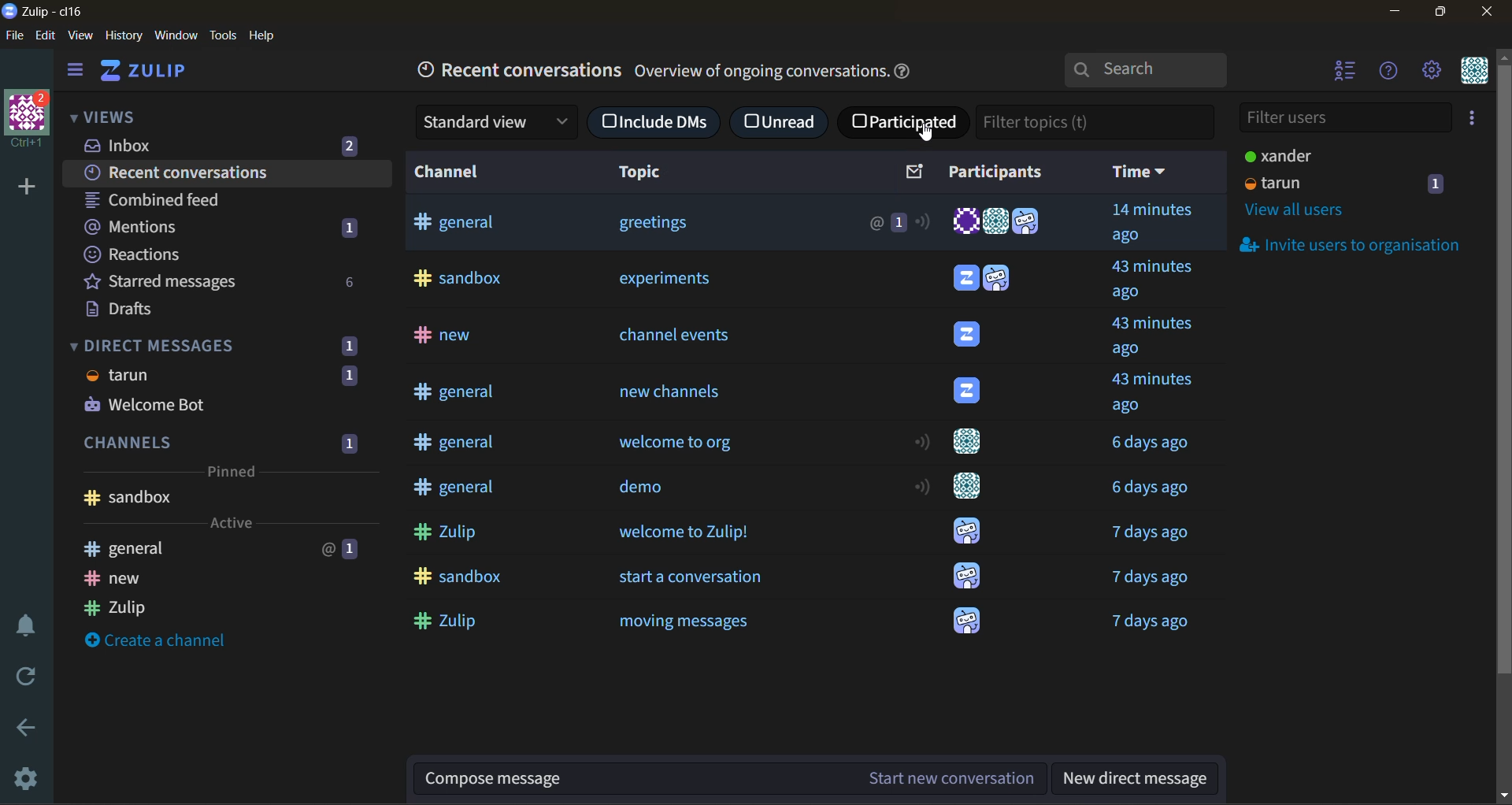 Image resolution: width=1512 pixels, height=805 pixels. What do you see at coordinates (969, 620) in the screenshot?
I see `user` at bounding box center [969, 620].